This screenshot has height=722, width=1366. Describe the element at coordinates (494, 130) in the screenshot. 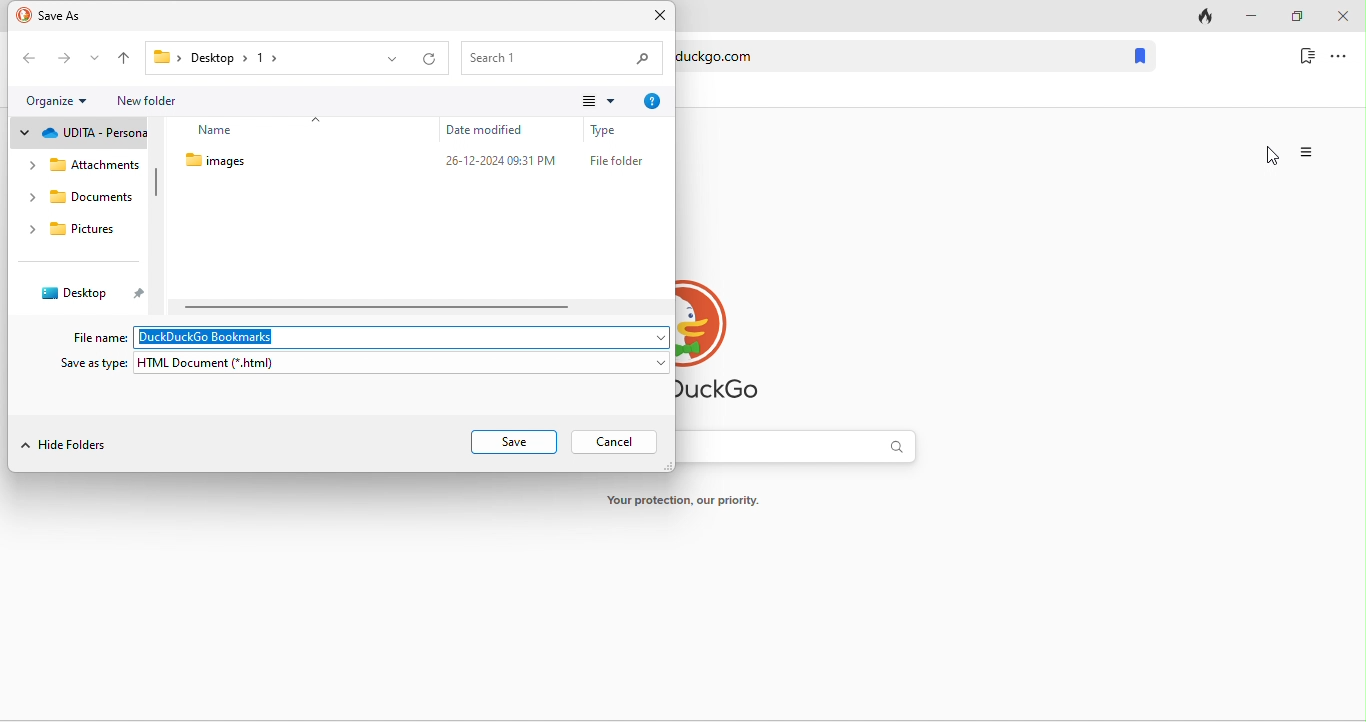

I see `date modified` at that location.